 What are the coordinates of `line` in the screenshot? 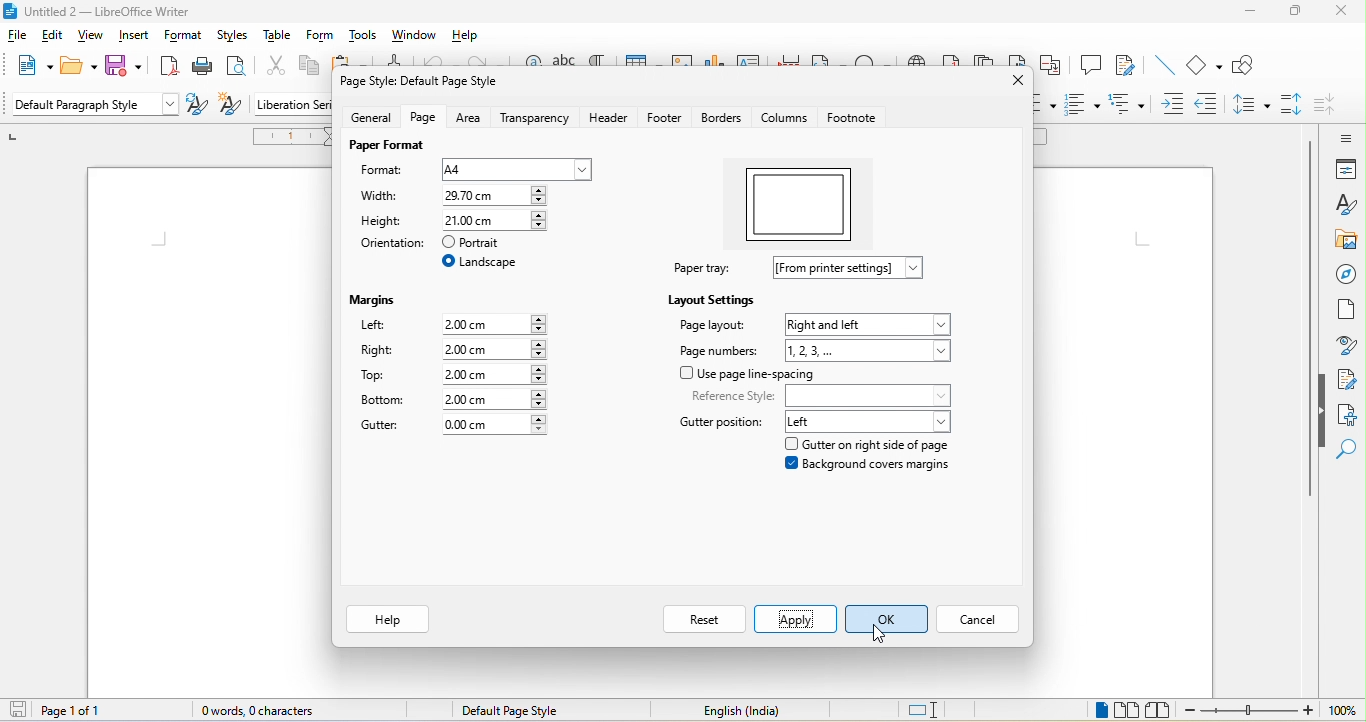 It's located at (1156, 68).